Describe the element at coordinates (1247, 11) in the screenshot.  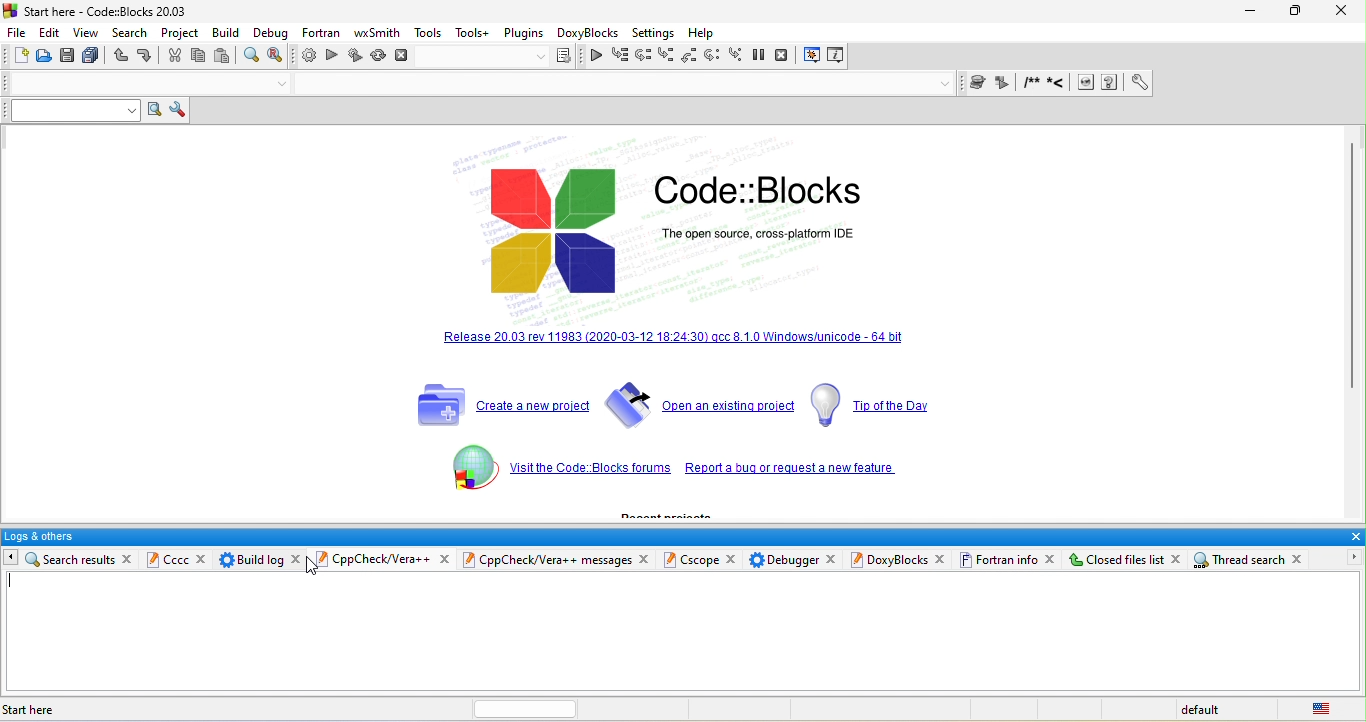
I see `minimize` at that location.